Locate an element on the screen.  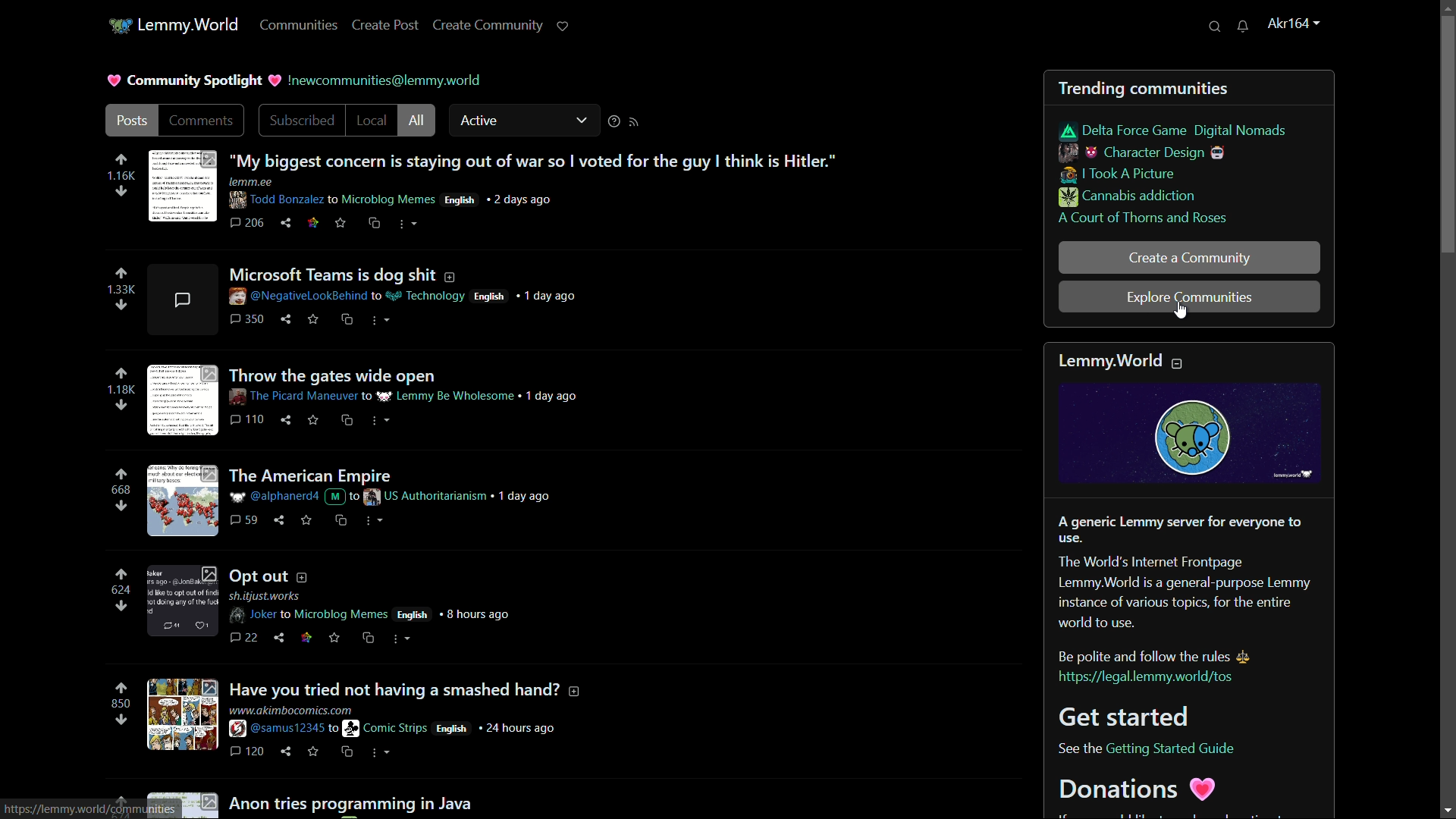
downvote is located at coordinates (121, 720).